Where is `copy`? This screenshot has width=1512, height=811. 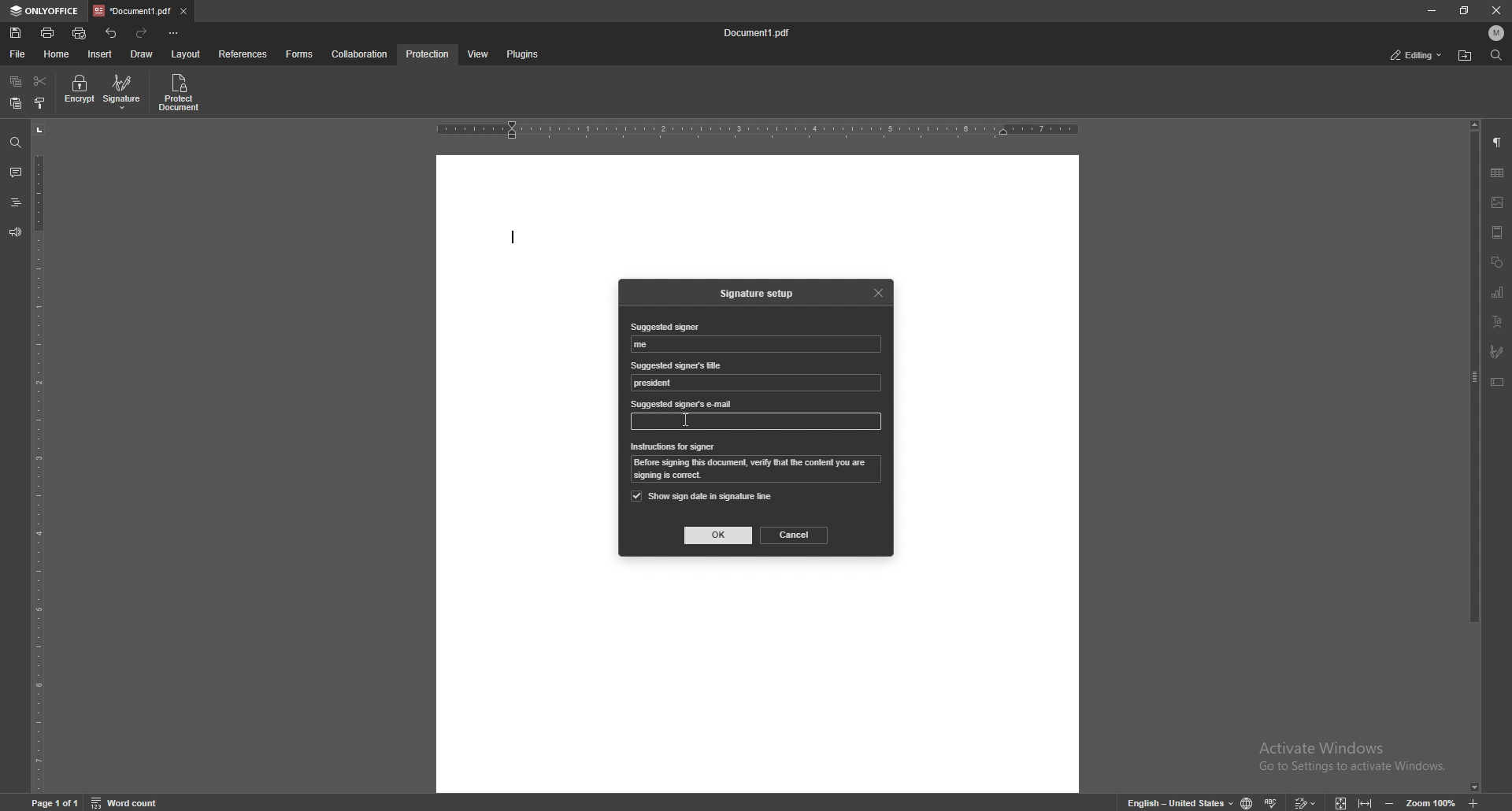
copy is located at coordinates (16, 82).